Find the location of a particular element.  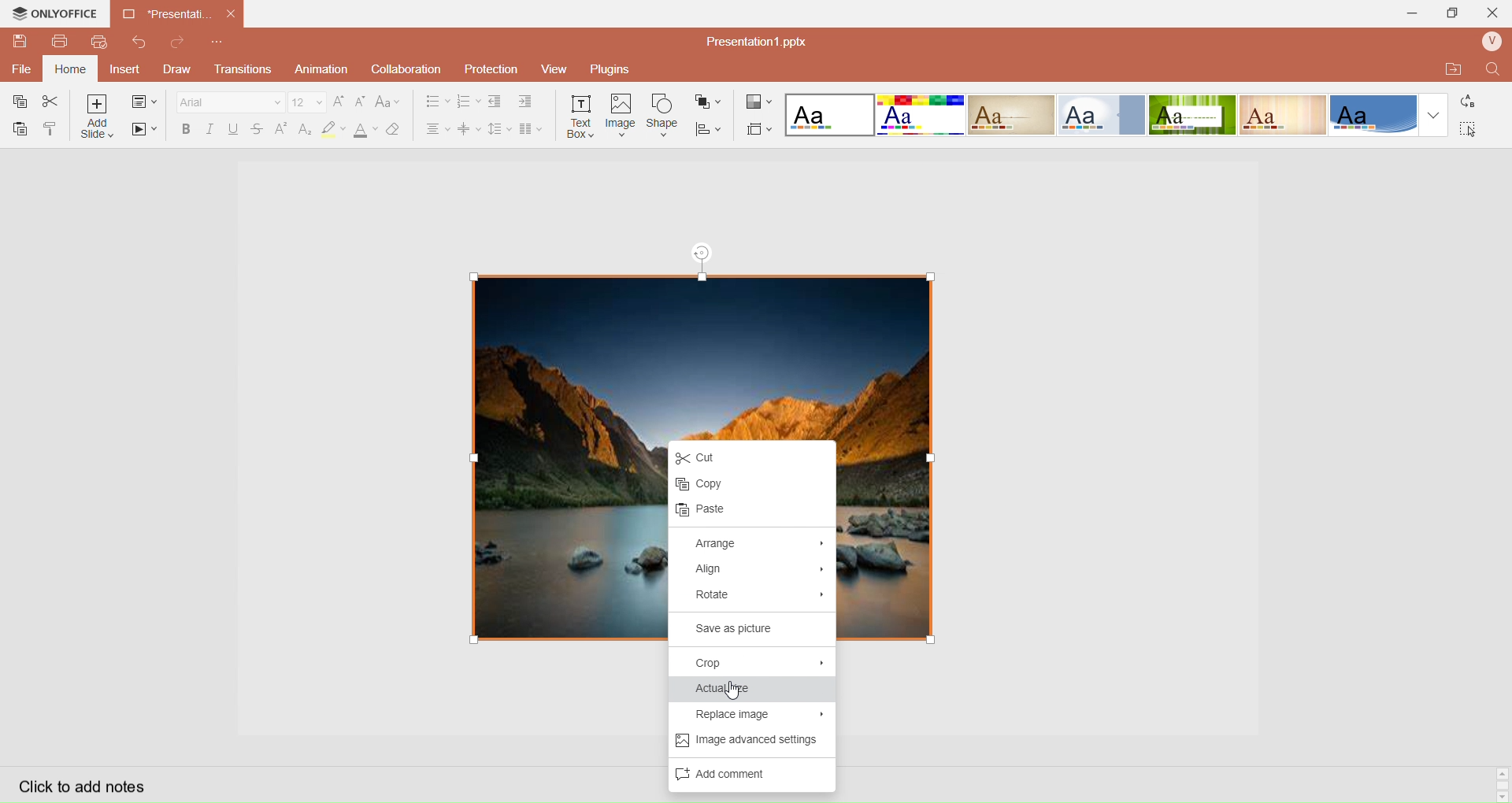

Font Color is located at coordinates (367, 130).